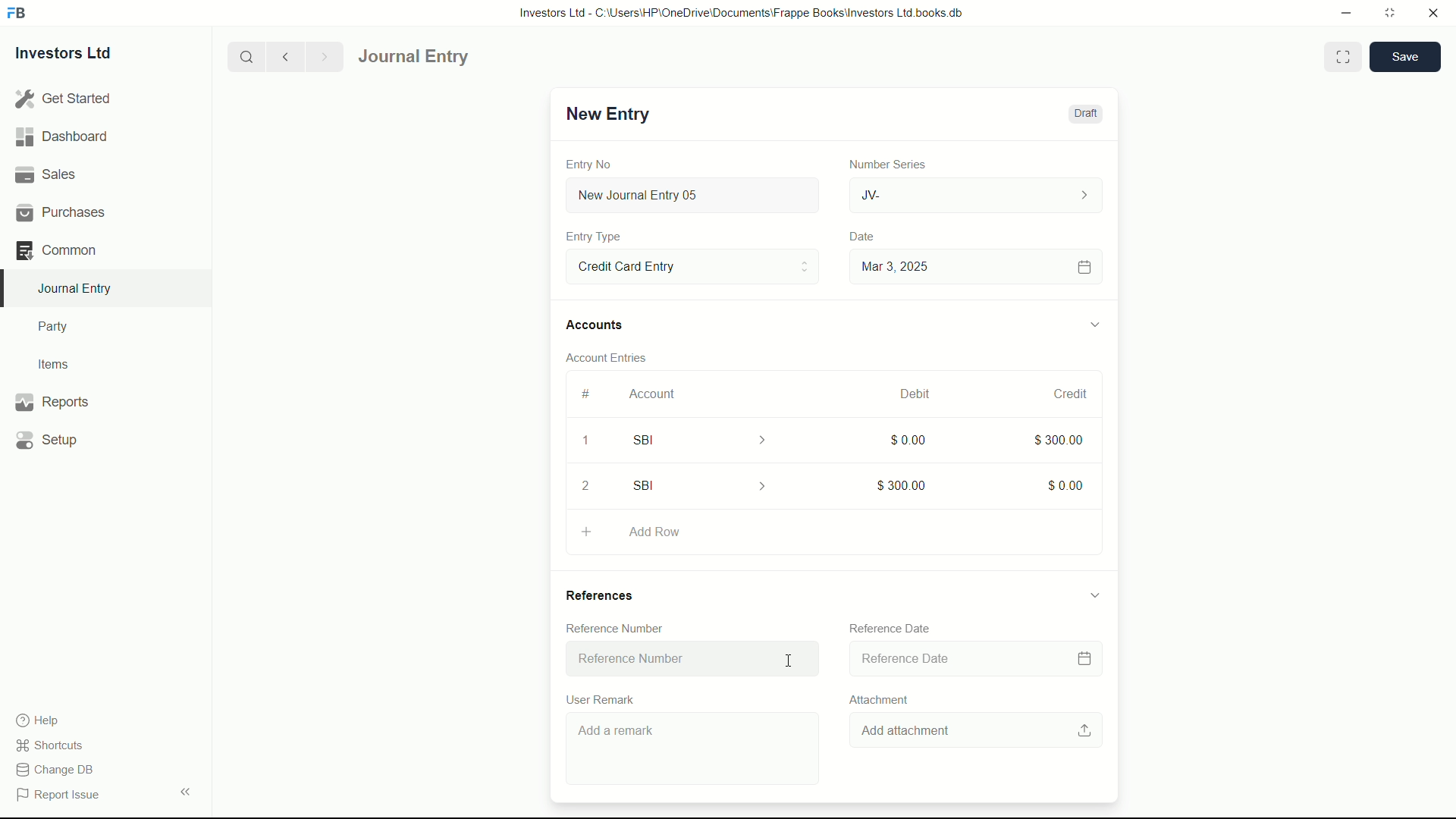 The image size is (1456, 819). What do you see at coordinates (1094, 322) in the screenshot?
I see `expand/collapse` at bounding box center [1094, 322].